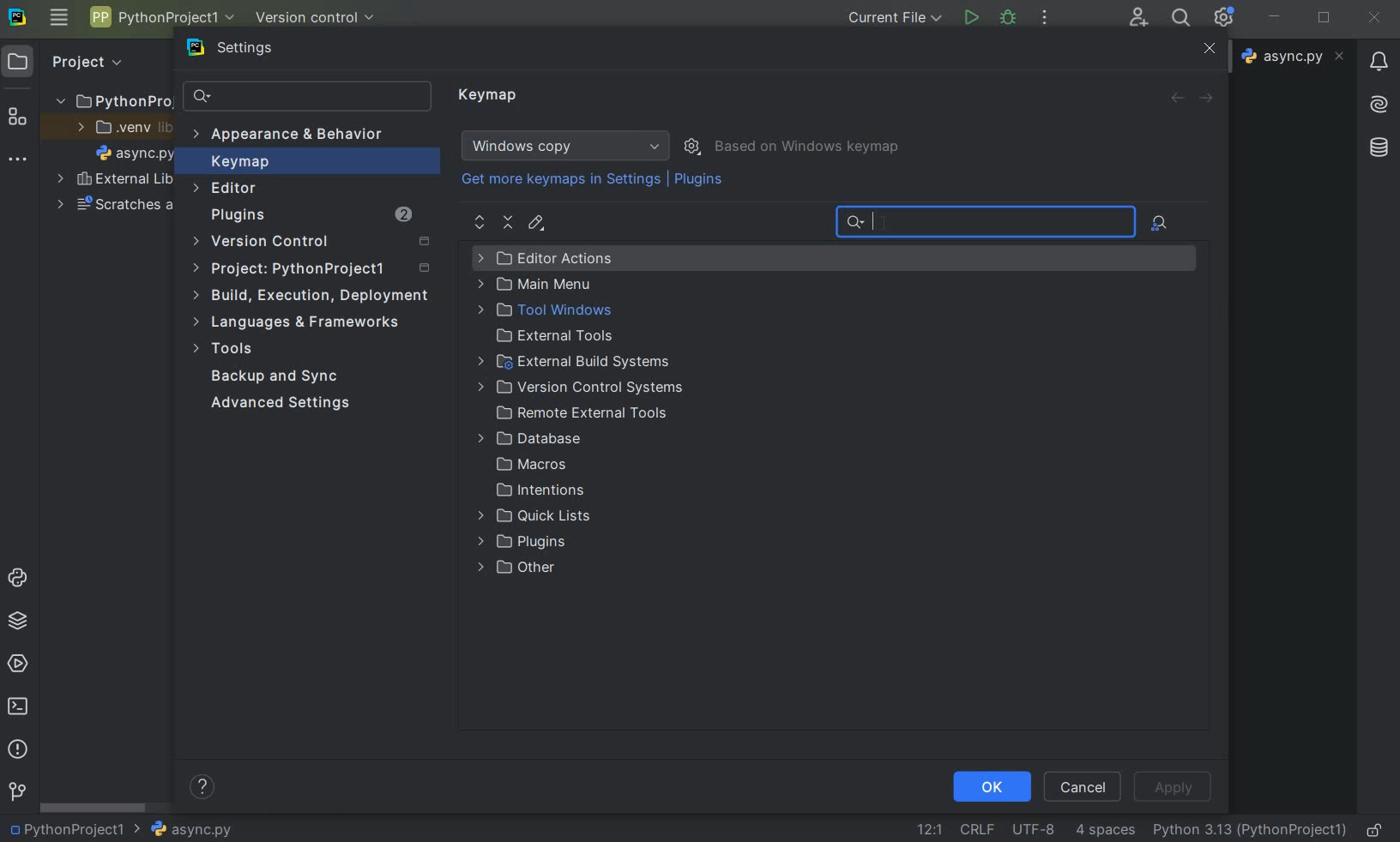 Image resolution: width=1400 pixels, height=842 pixels. I want to click on forward, so click(1210, 99).